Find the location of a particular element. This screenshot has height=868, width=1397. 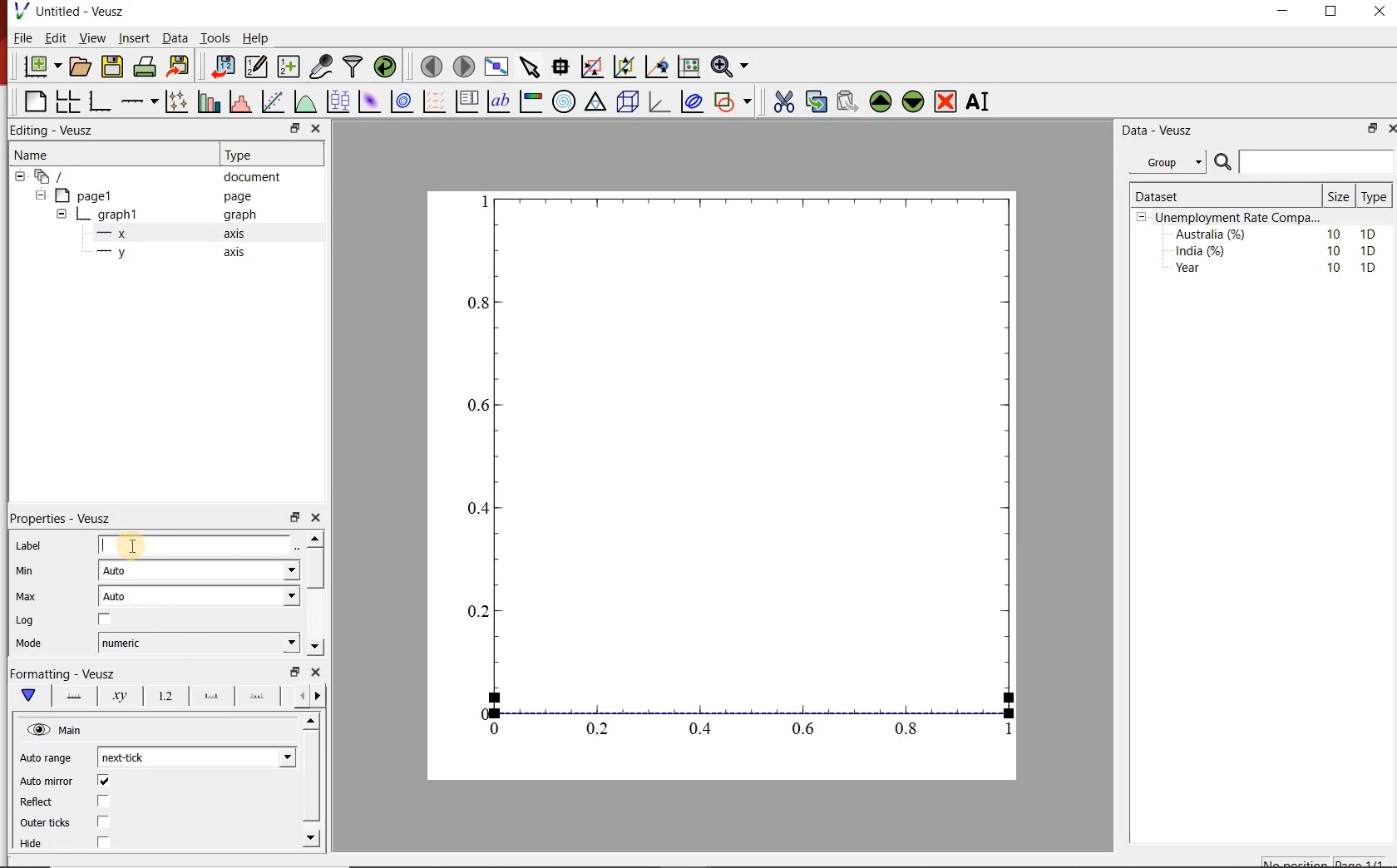

scroll bar is located at coordinates (312, 776).